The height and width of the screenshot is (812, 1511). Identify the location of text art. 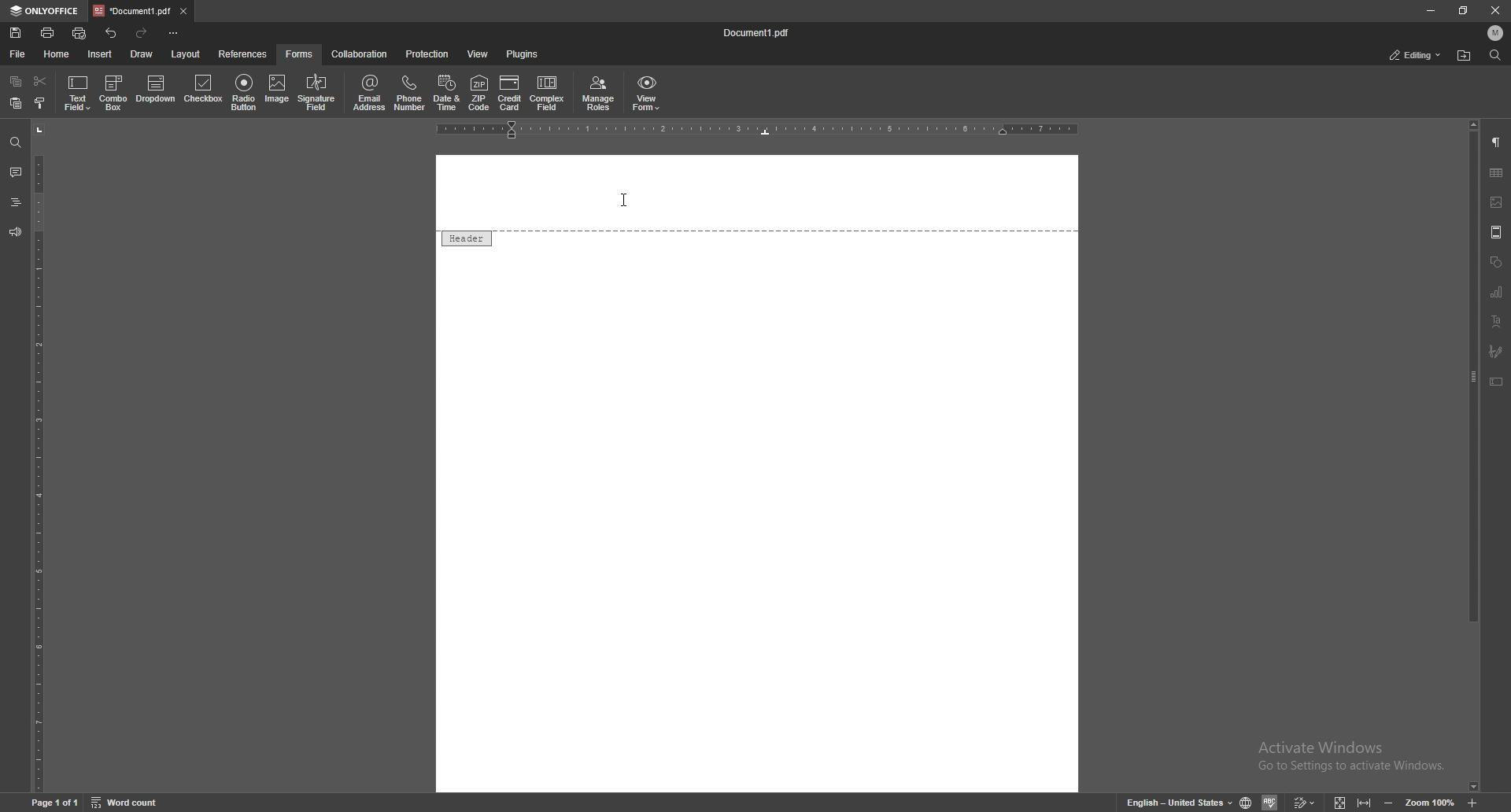
(1498, 322).